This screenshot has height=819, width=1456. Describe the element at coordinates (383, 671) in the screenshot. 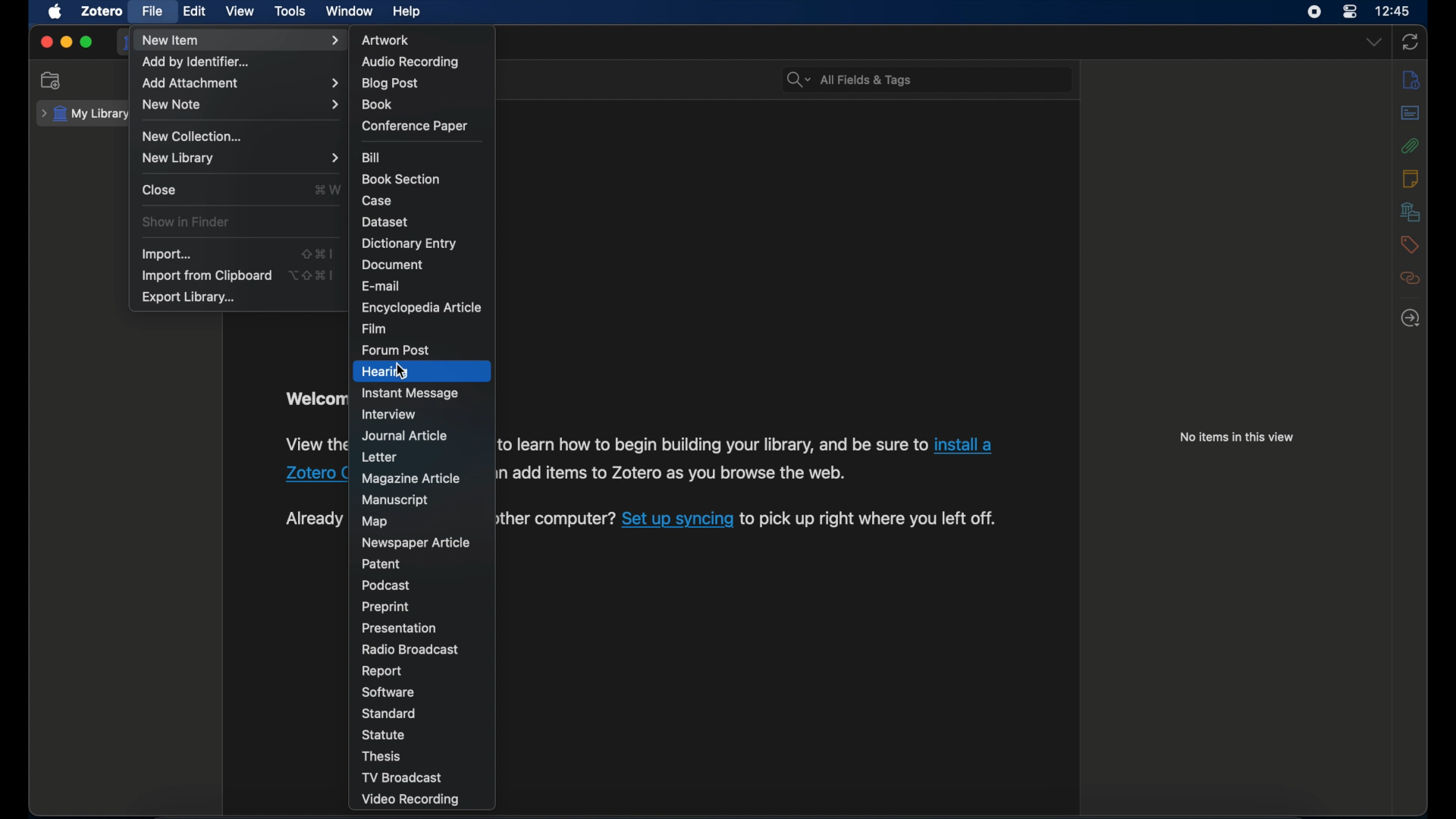

I see `report` at that location.